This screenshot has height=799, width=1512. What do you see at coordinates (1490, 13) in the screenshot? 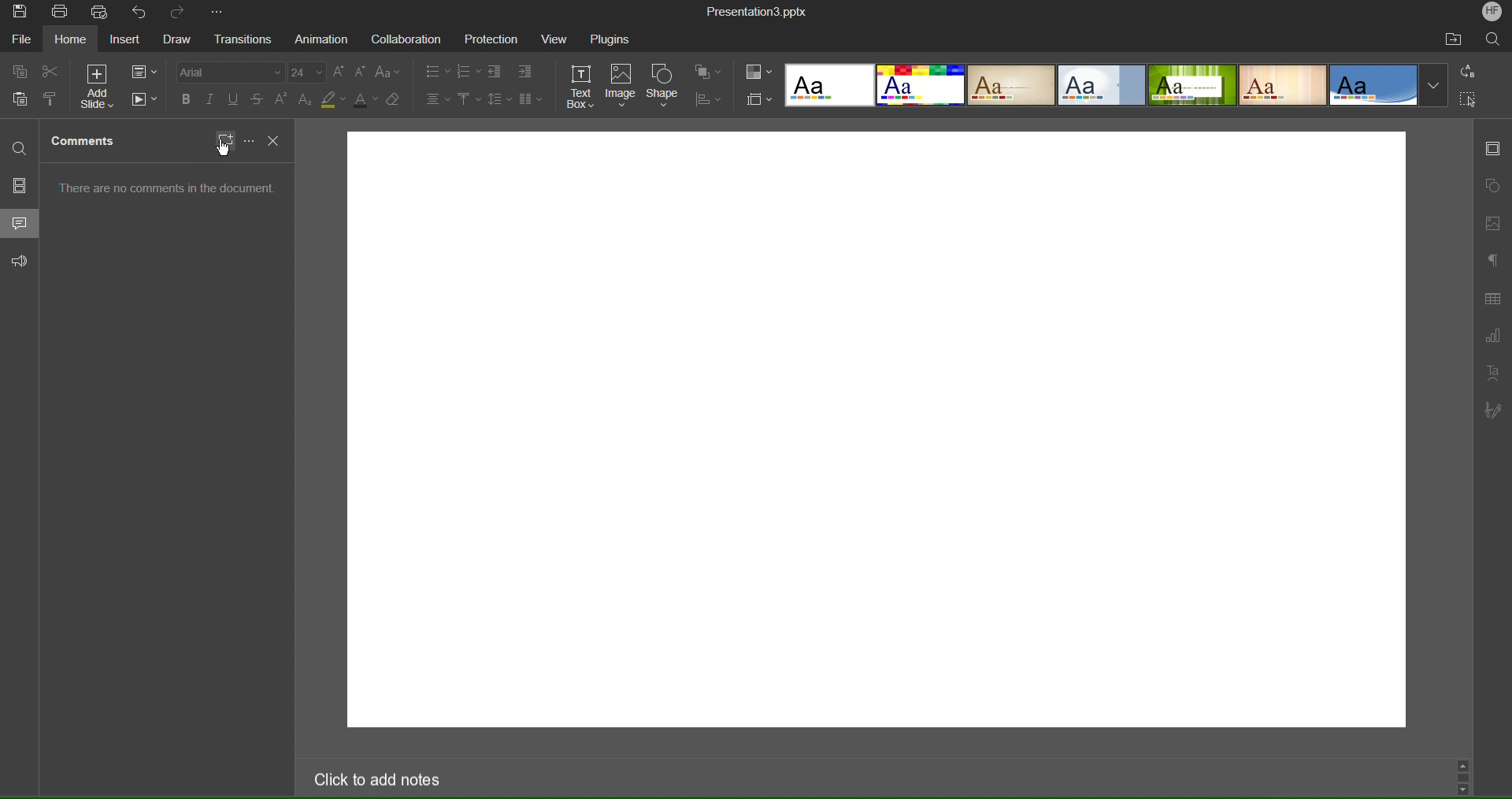
I see `Account` at bounding box center [1490, 13].